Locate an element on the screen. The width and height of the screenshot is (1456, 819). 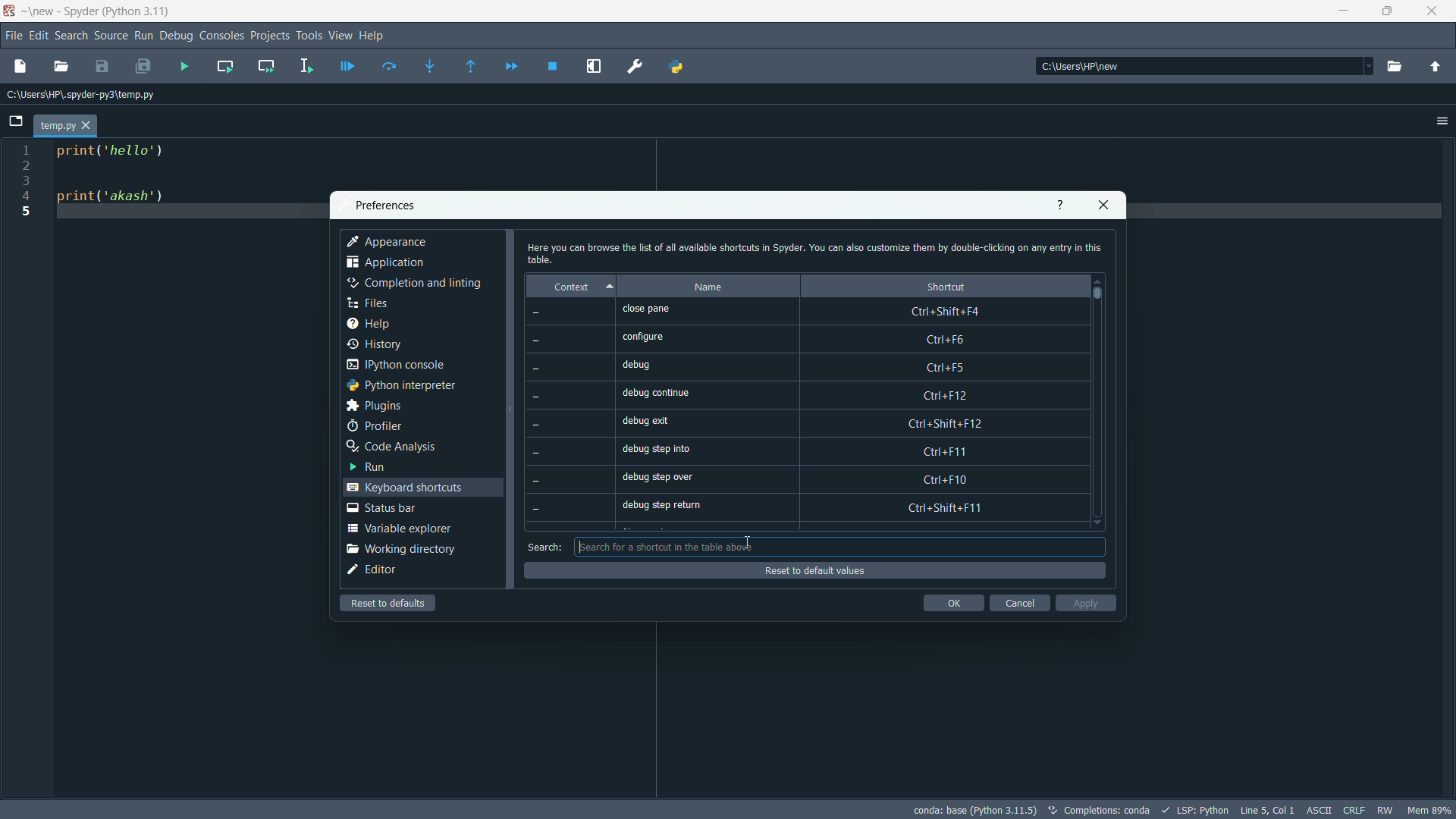
print('print hello')  is located at coordinates (121, 158).